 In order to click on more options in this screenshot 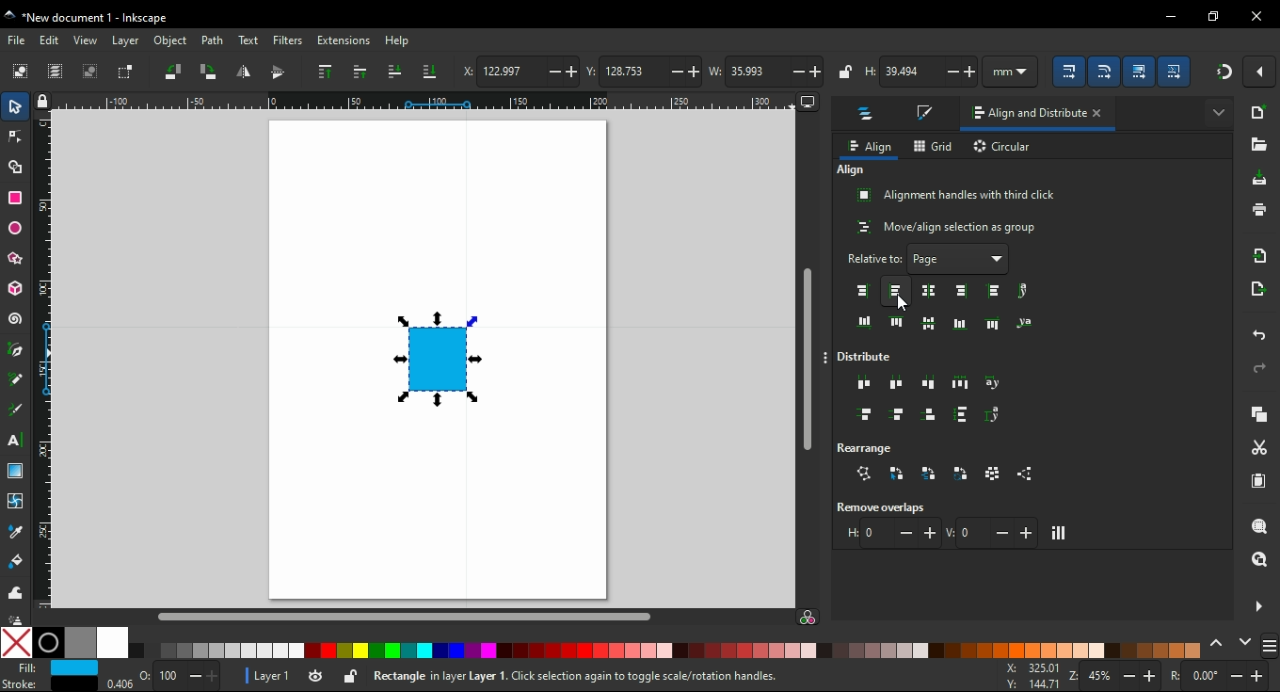, I will do `click(826, 360)`.